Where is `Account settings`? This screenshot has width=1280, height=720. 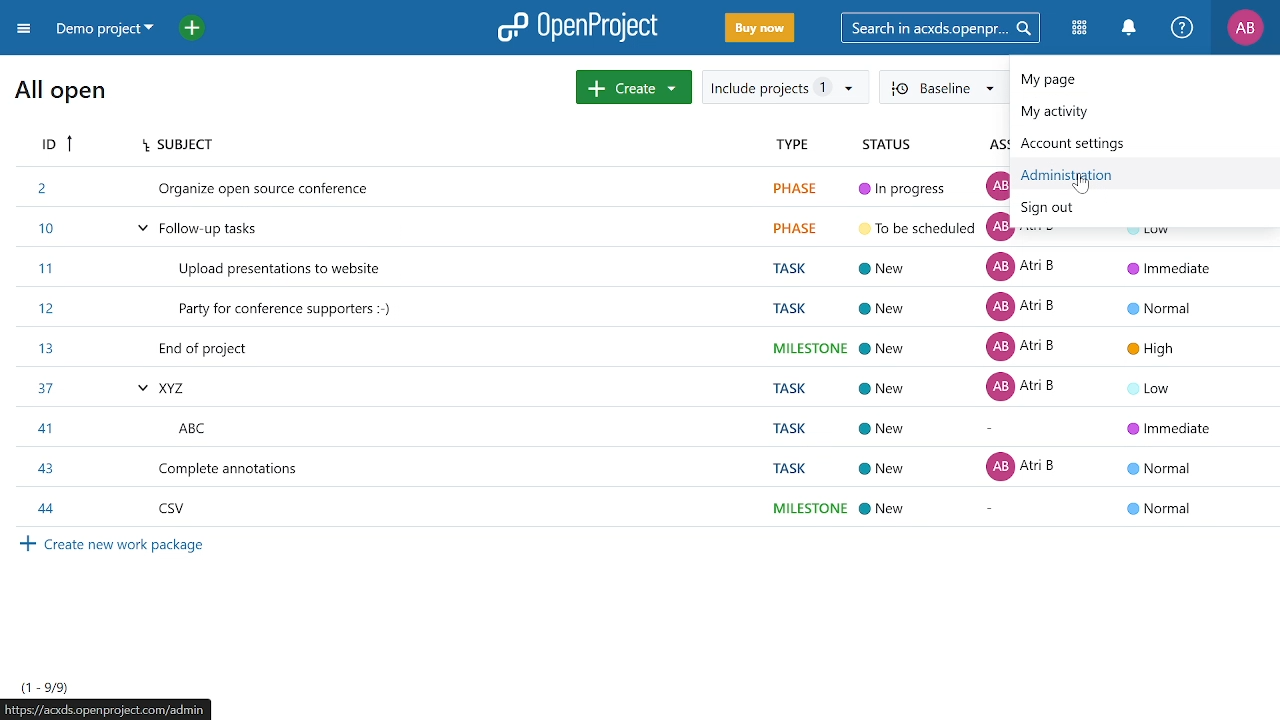
Account settings is located at coordinates (1101, 145).